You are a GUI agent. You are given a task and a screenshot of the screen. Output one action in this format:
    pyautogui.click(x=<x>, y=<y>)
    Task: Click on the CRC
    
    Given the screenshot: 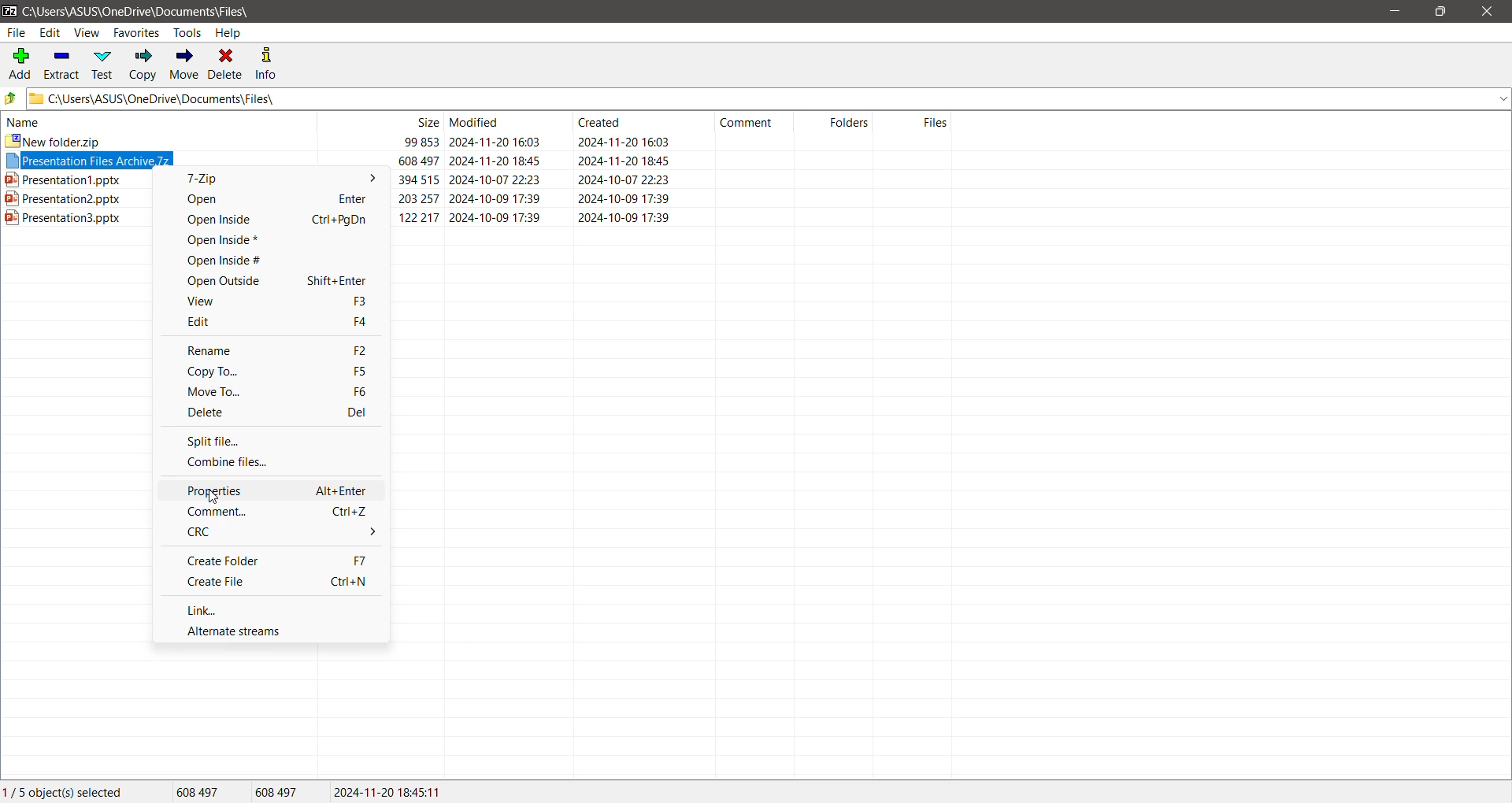 What is the action you would take?
    pyautogui.click(x=285, y=531)
    